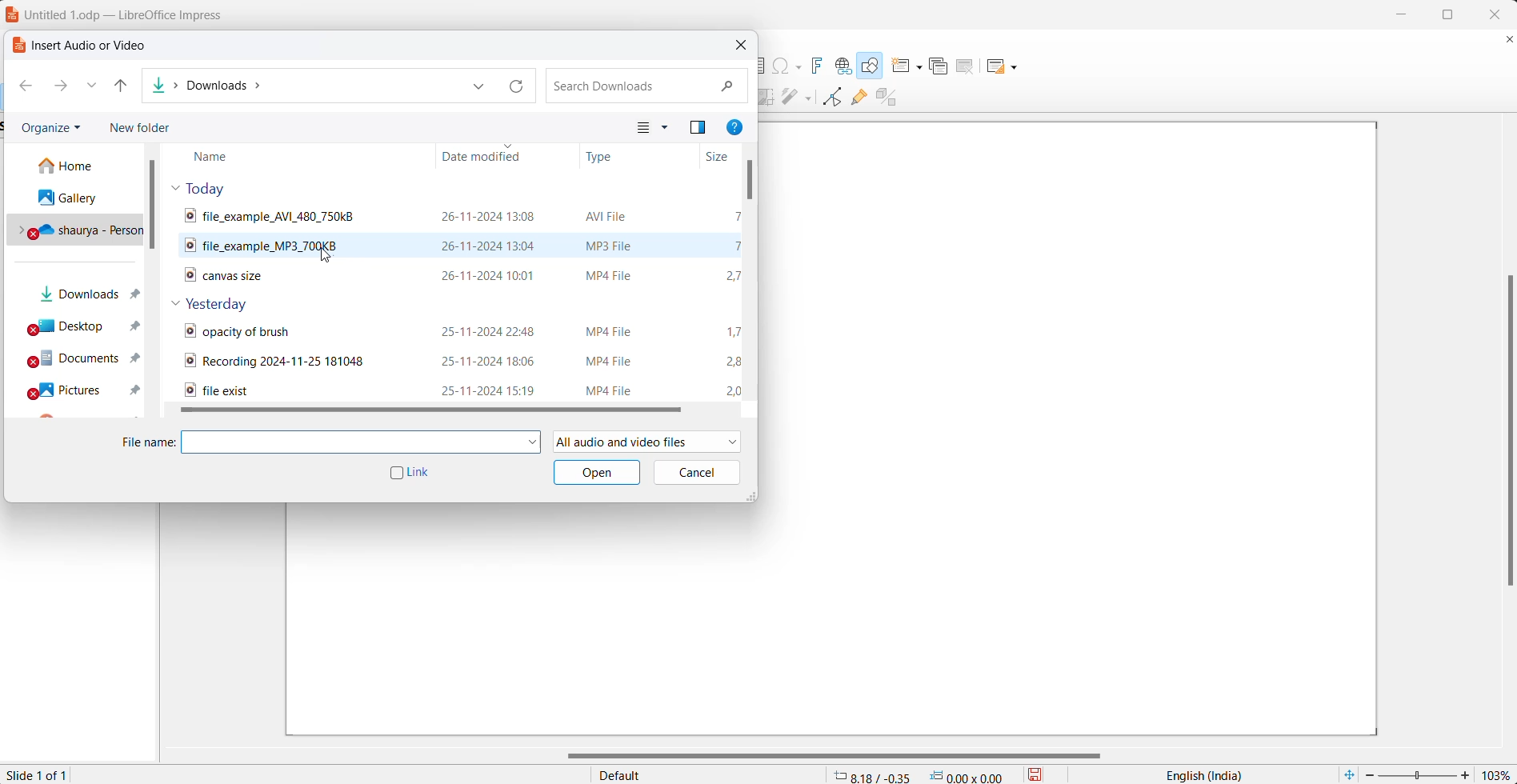 The width and height of the screenshot is (1517, 784). I want to click on video file size, so click(741, 216).